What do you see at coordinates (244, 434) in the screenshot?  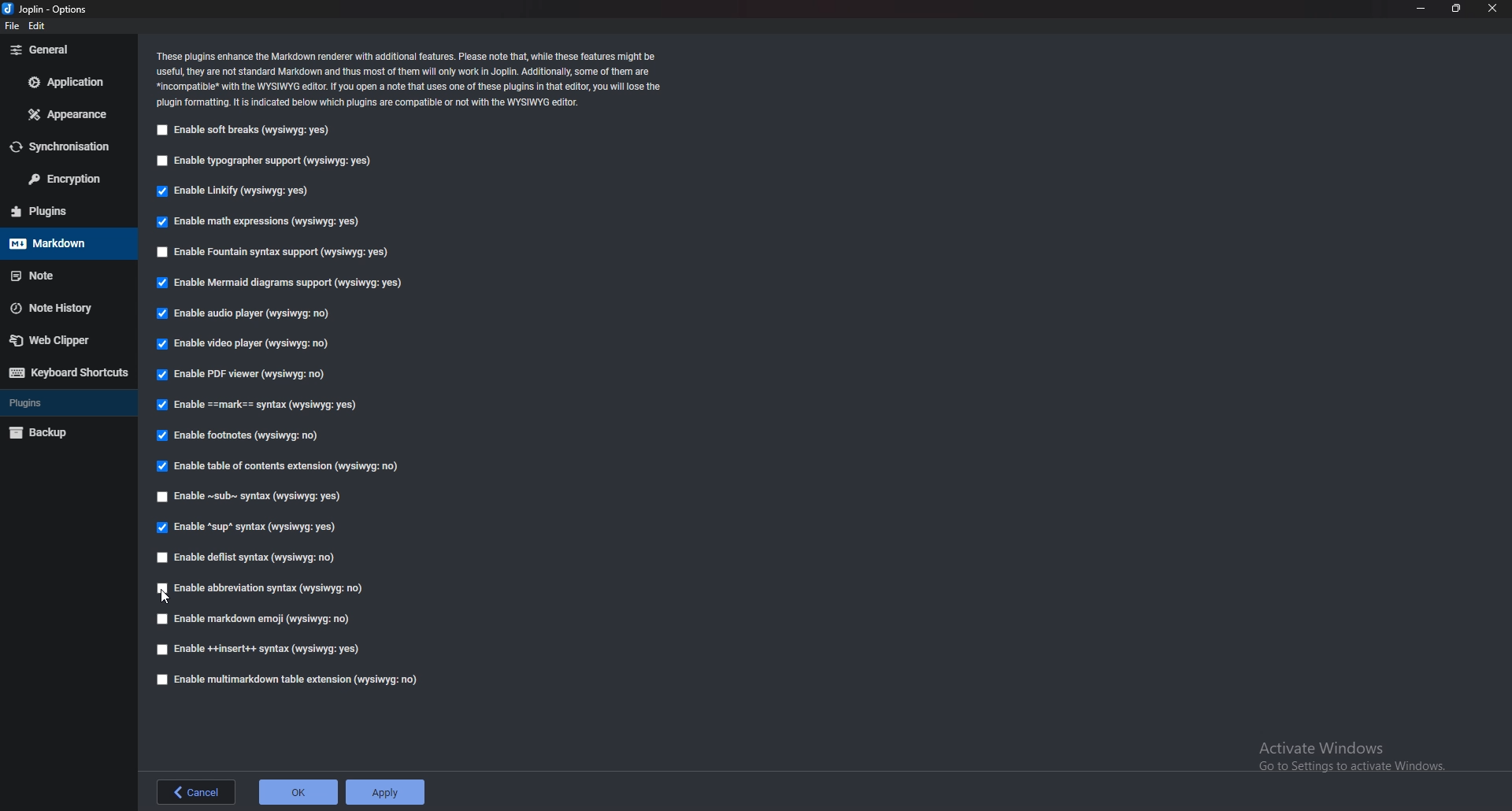 I see `Enable footnotes (wysiwyg: no)` at bounding box center [244, 434].